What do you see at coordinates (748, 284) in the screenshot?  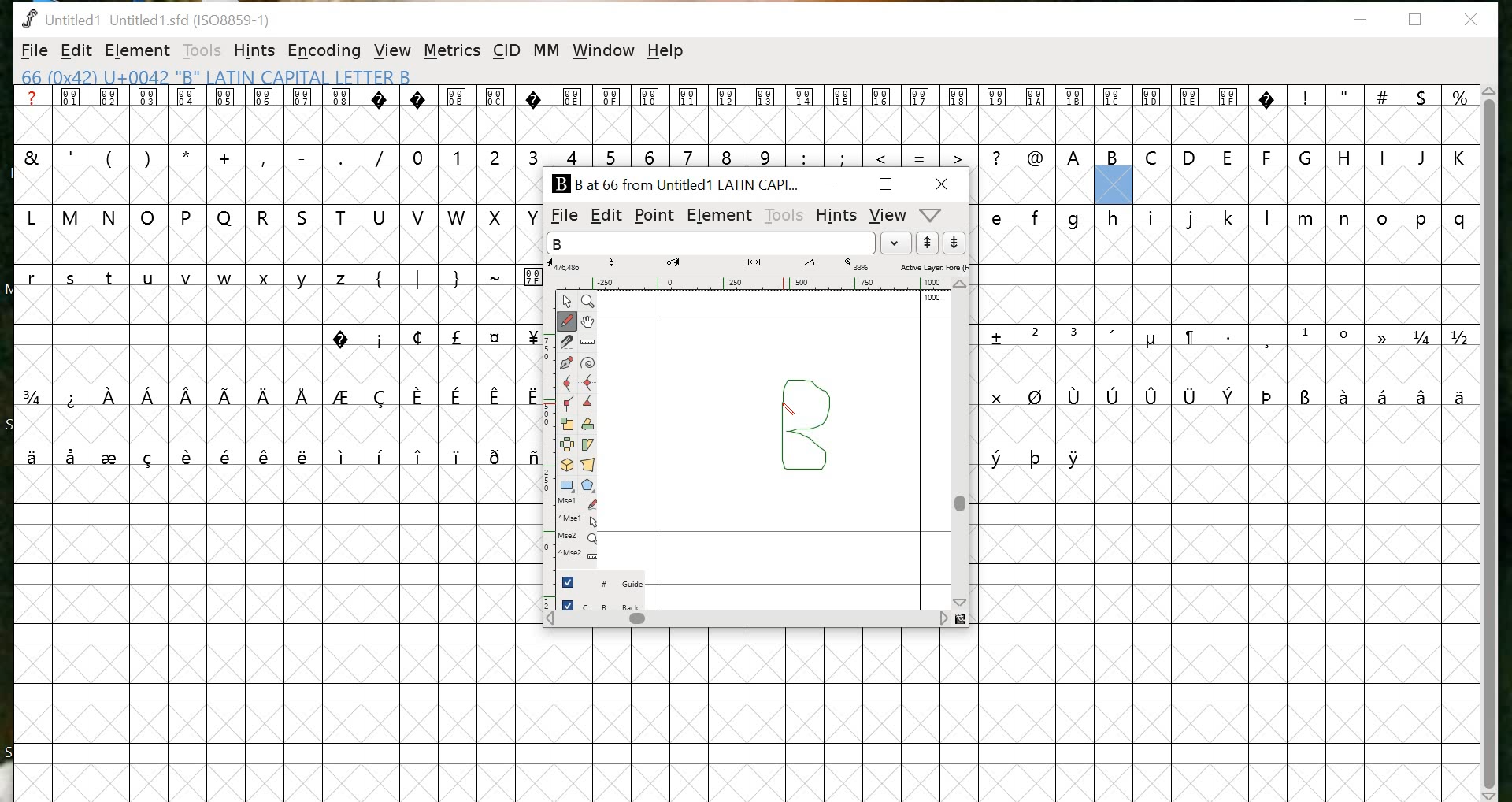 I see `ruler` at bounding box center [748, 284].